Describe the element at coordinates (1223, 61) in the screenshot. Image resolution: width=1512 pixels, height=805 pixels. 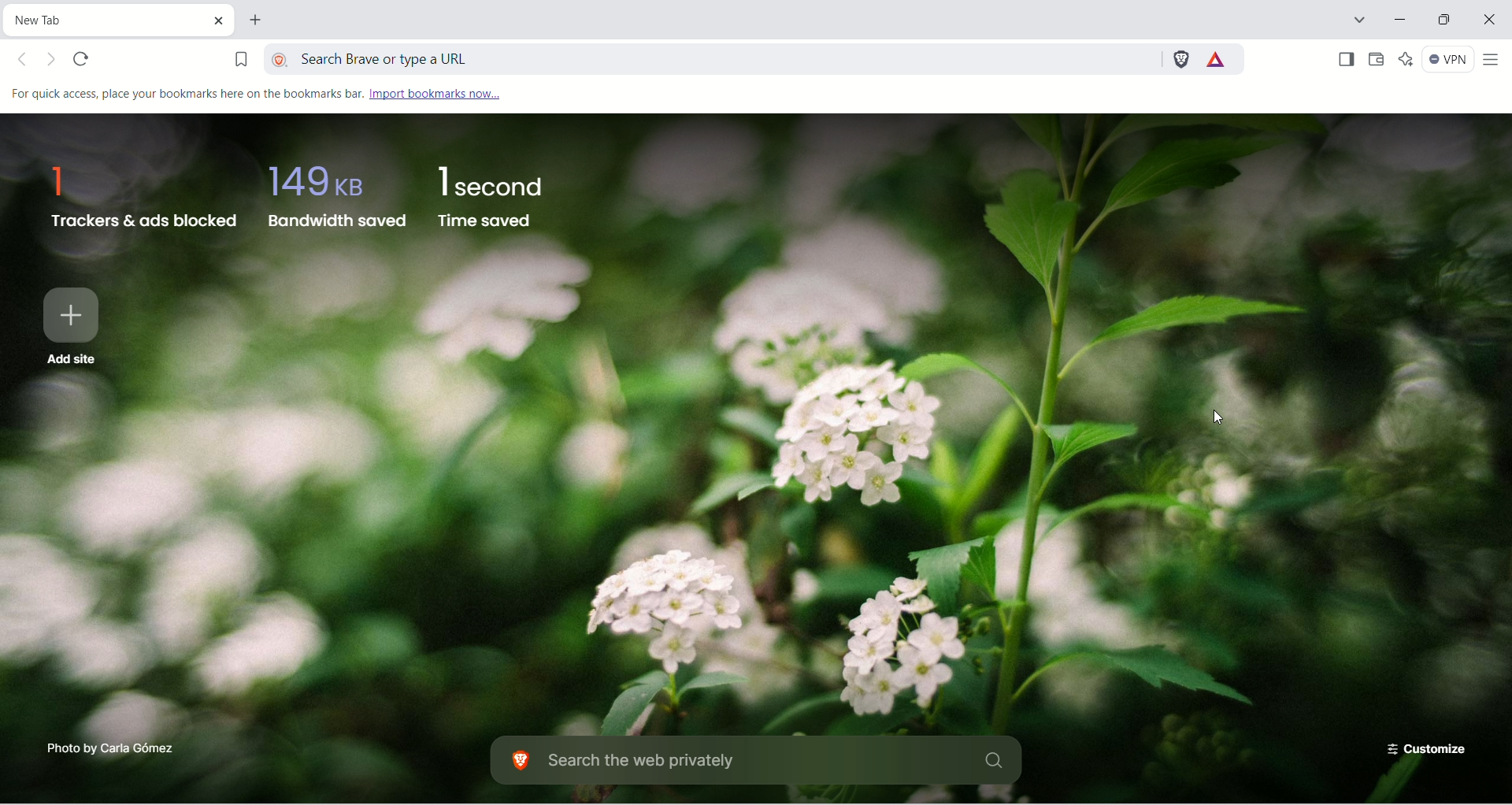
I see `rewards` at that location.